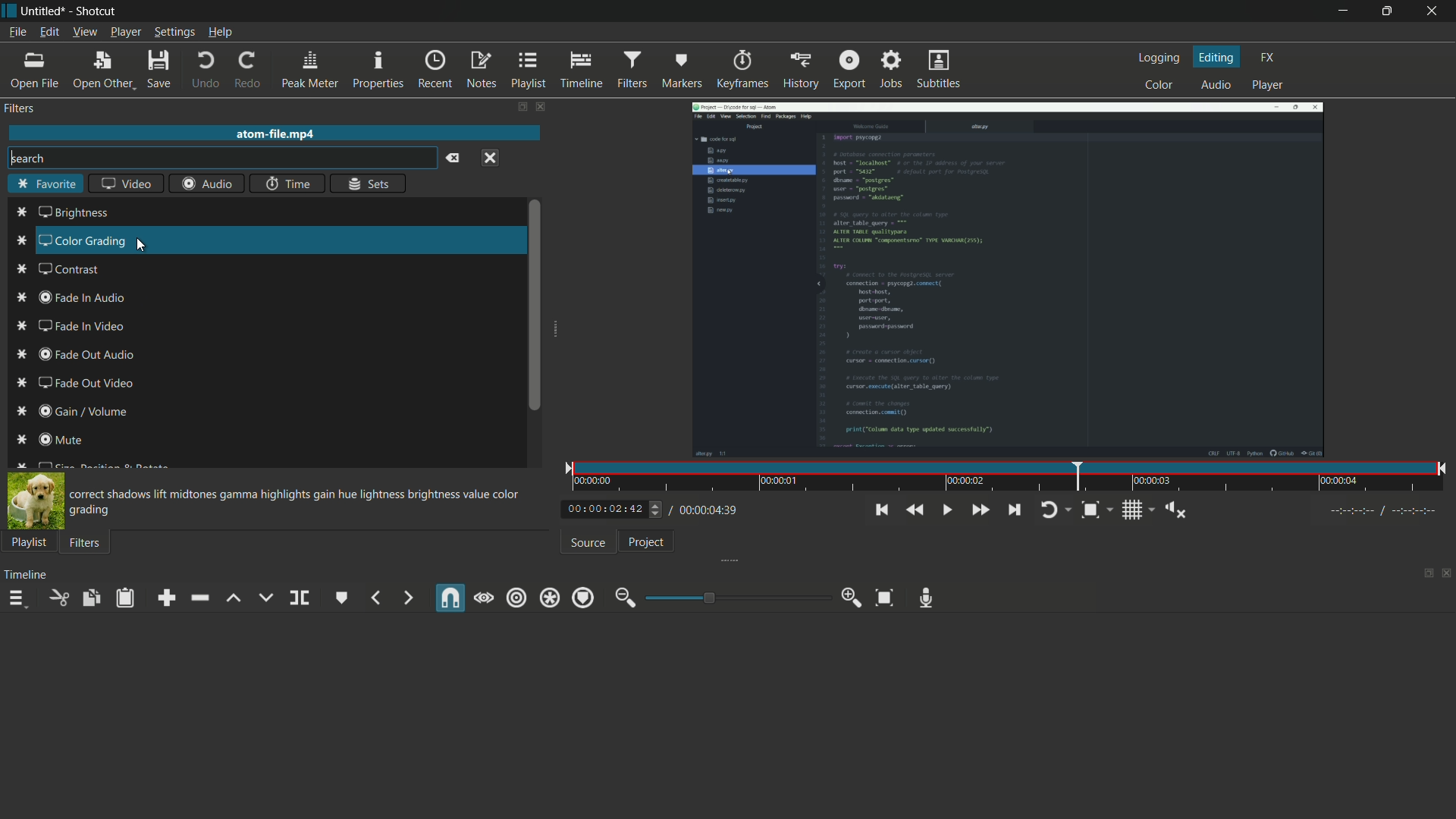 This screenshot has height=819, width=1456. What do you see at coordinates (174, 33) in the screenshot?
I see `settings menu` at bounding box center [174, 33].